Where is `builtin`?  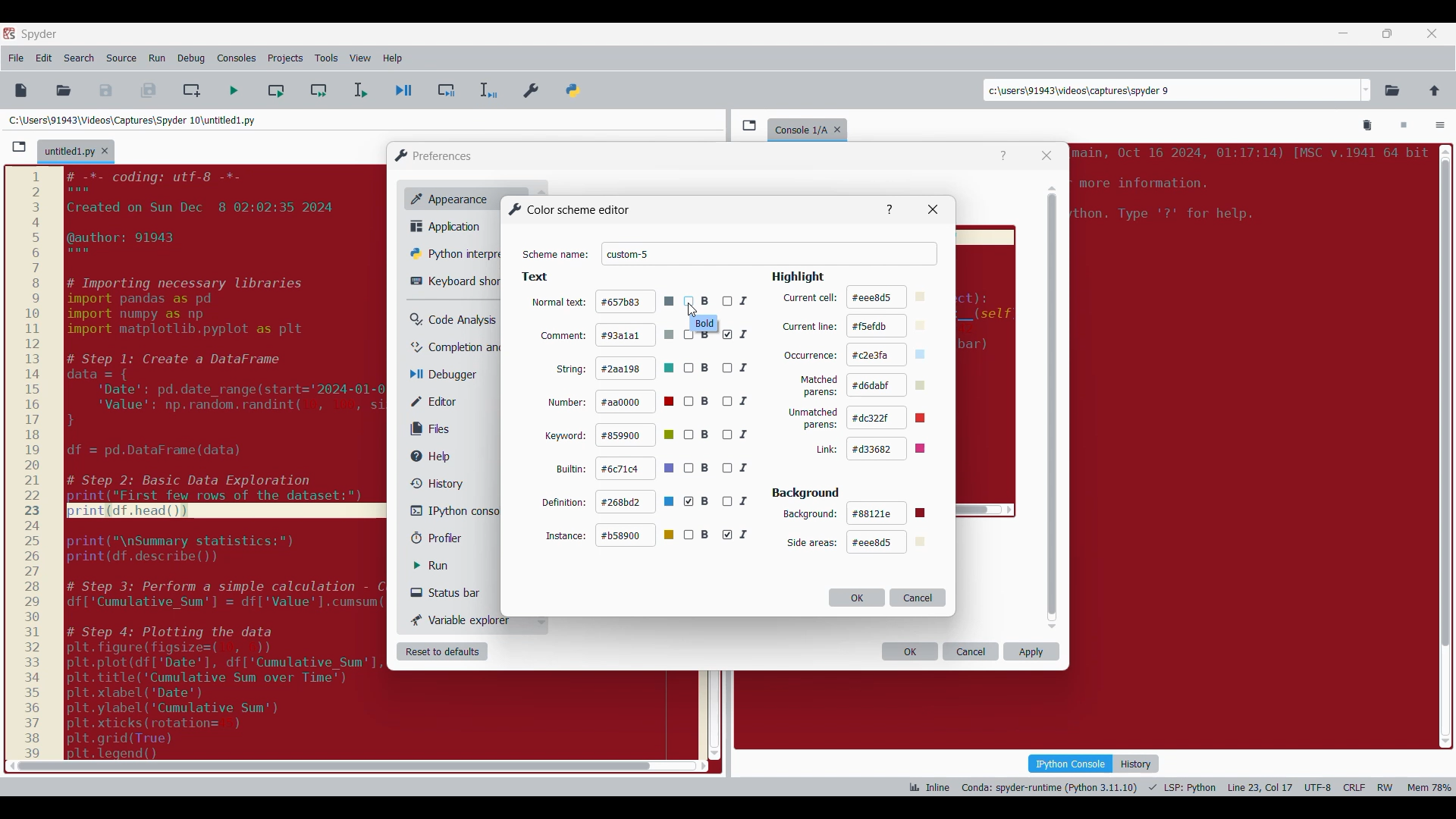
builtin is located at coordinates (573, 469).